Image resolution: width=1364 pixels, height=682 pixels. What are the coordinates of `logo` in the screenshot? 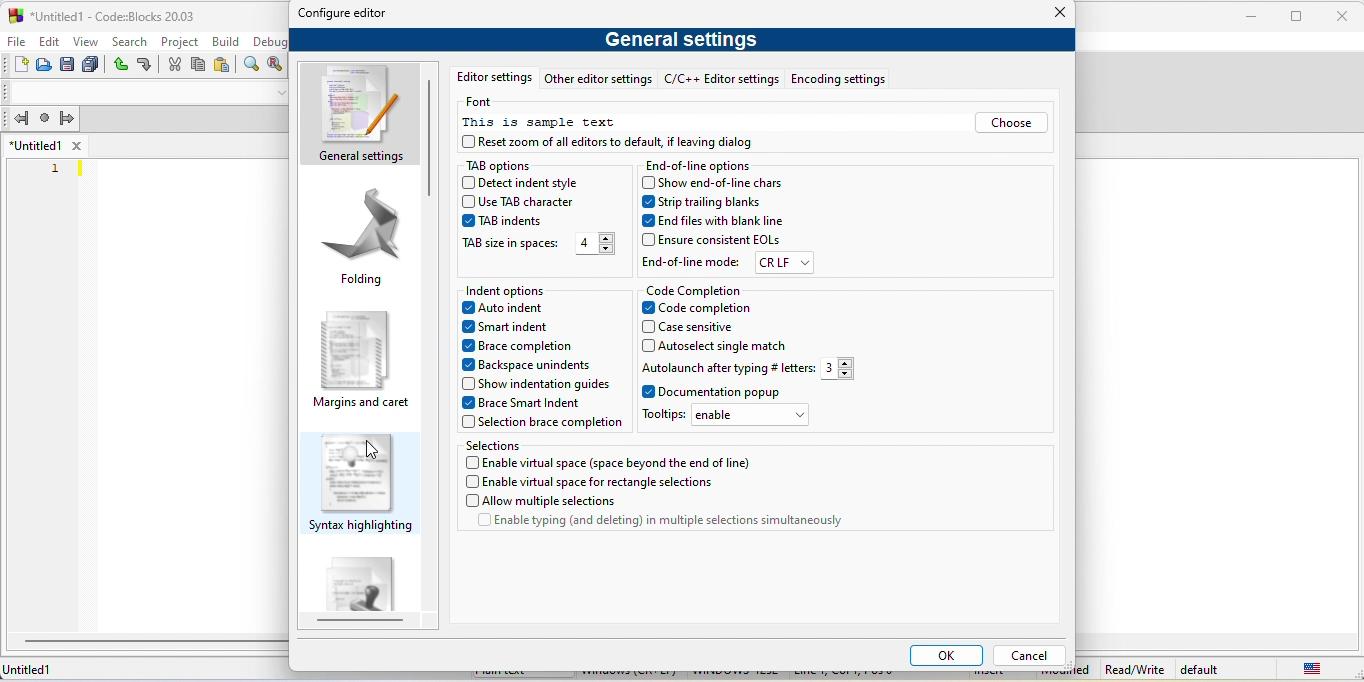 It's located at (15, 16).